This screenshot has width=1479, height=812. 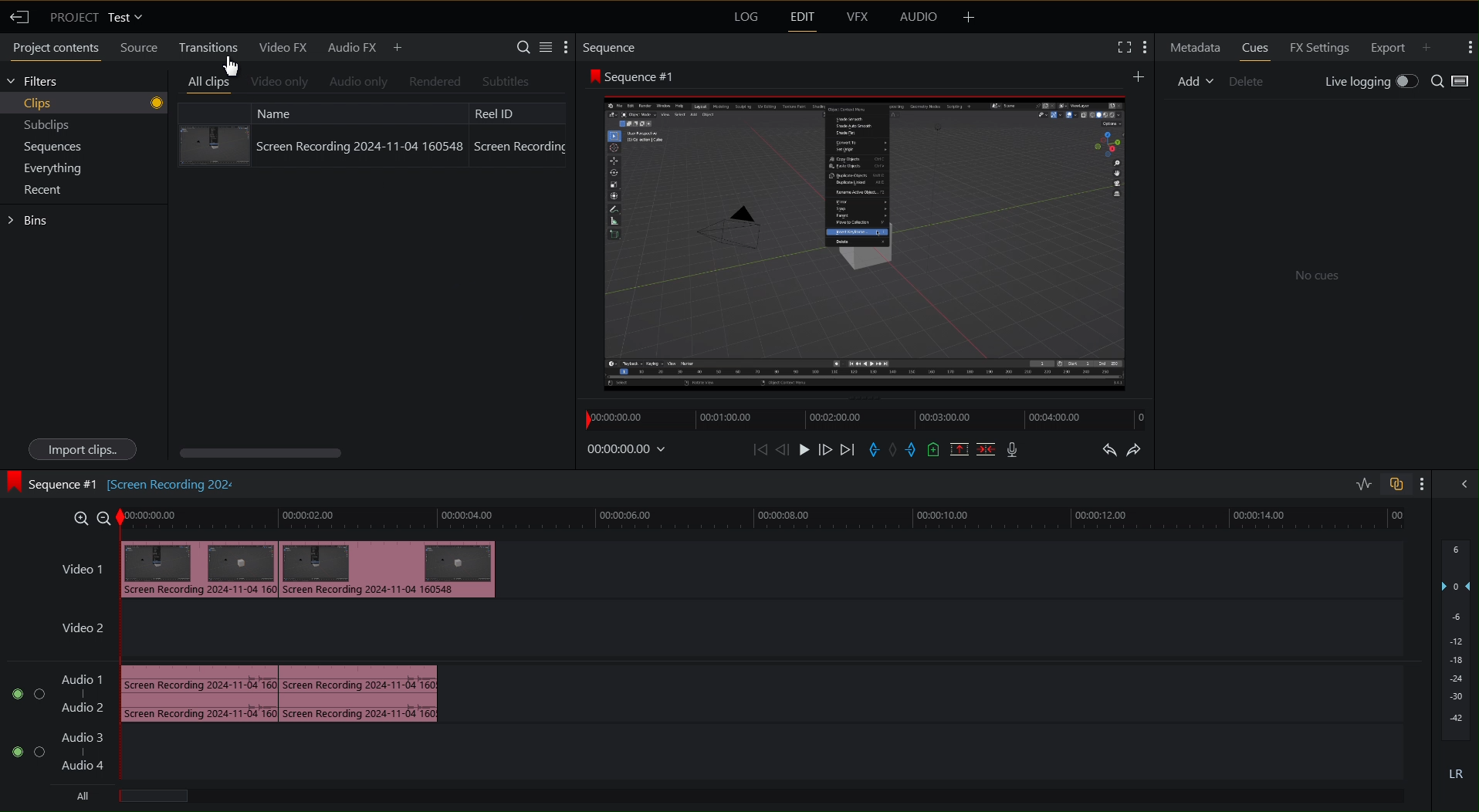 What do you see at coordinates (42, 81) in the screenshot?
I see `Filters` at bounding box center [42, 81].